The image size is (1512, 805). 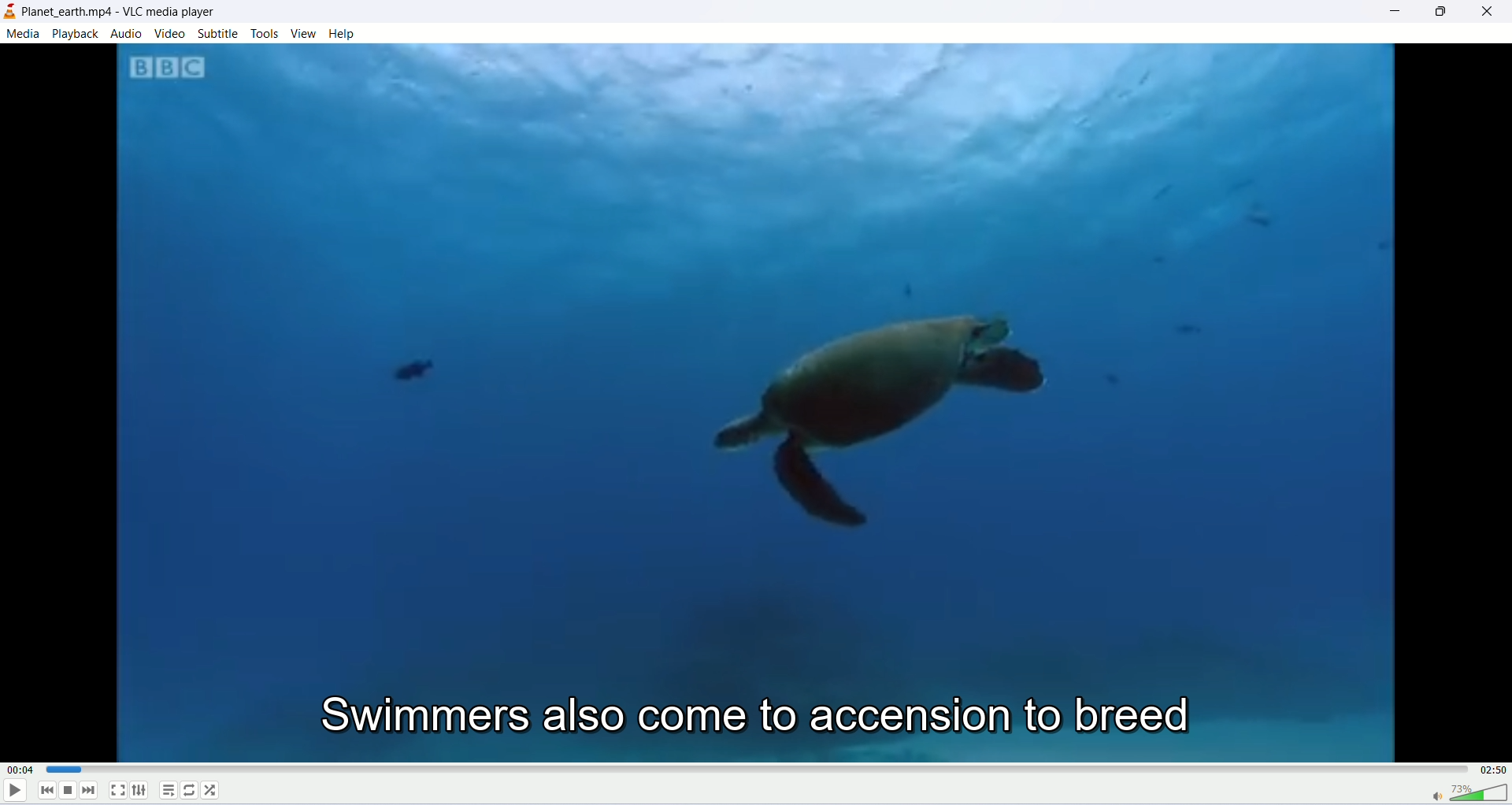 What do you see at coordinates (754, 724) in the screenshot?
I see `swimmers also come to accension to breed (subtitle)` at bounding box center [754, 724].